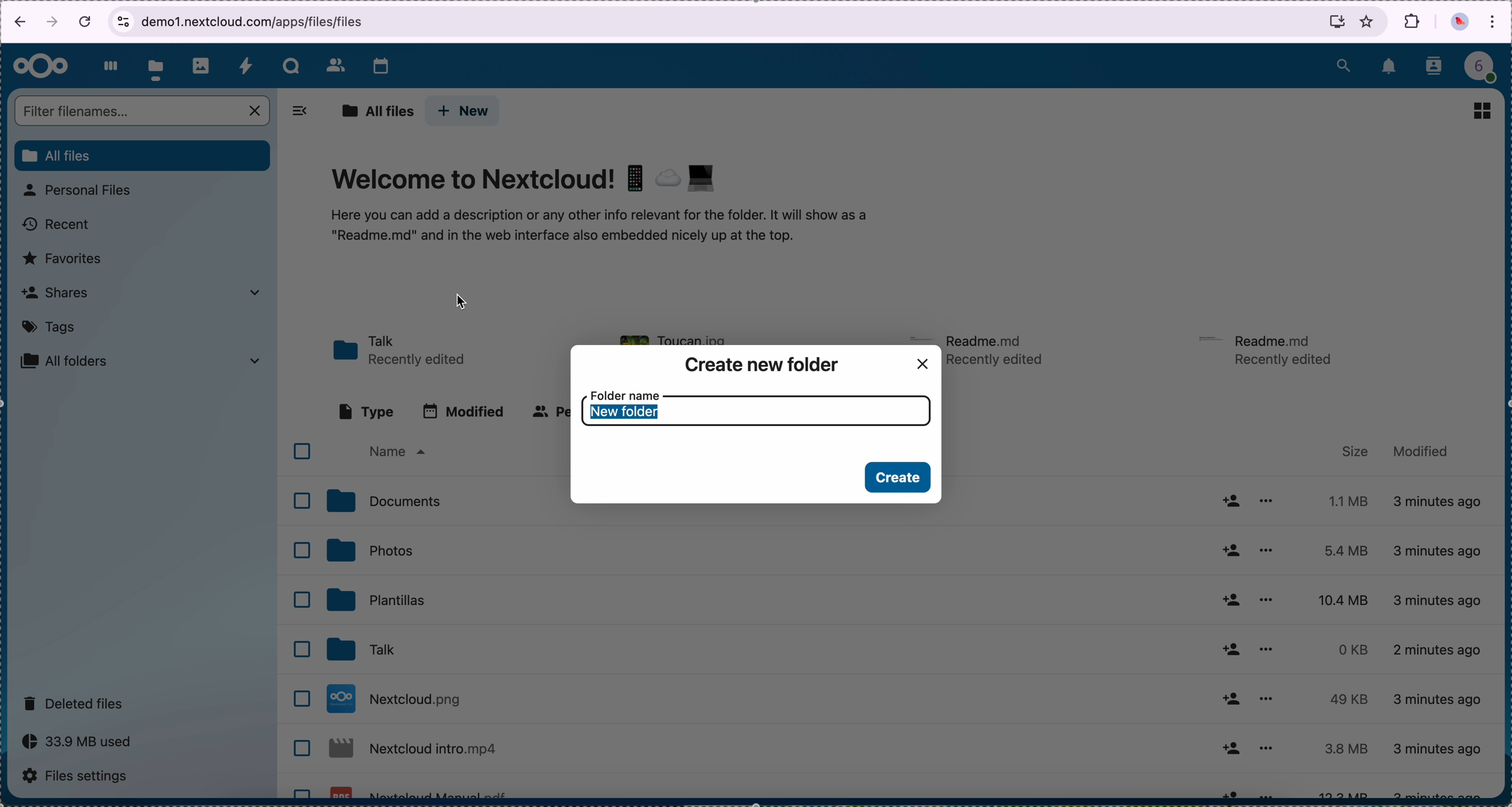 Image resolution: width=1512 pixels, height=807 pixels. I want to click on 4 minutes ago, so click(1439, 598).